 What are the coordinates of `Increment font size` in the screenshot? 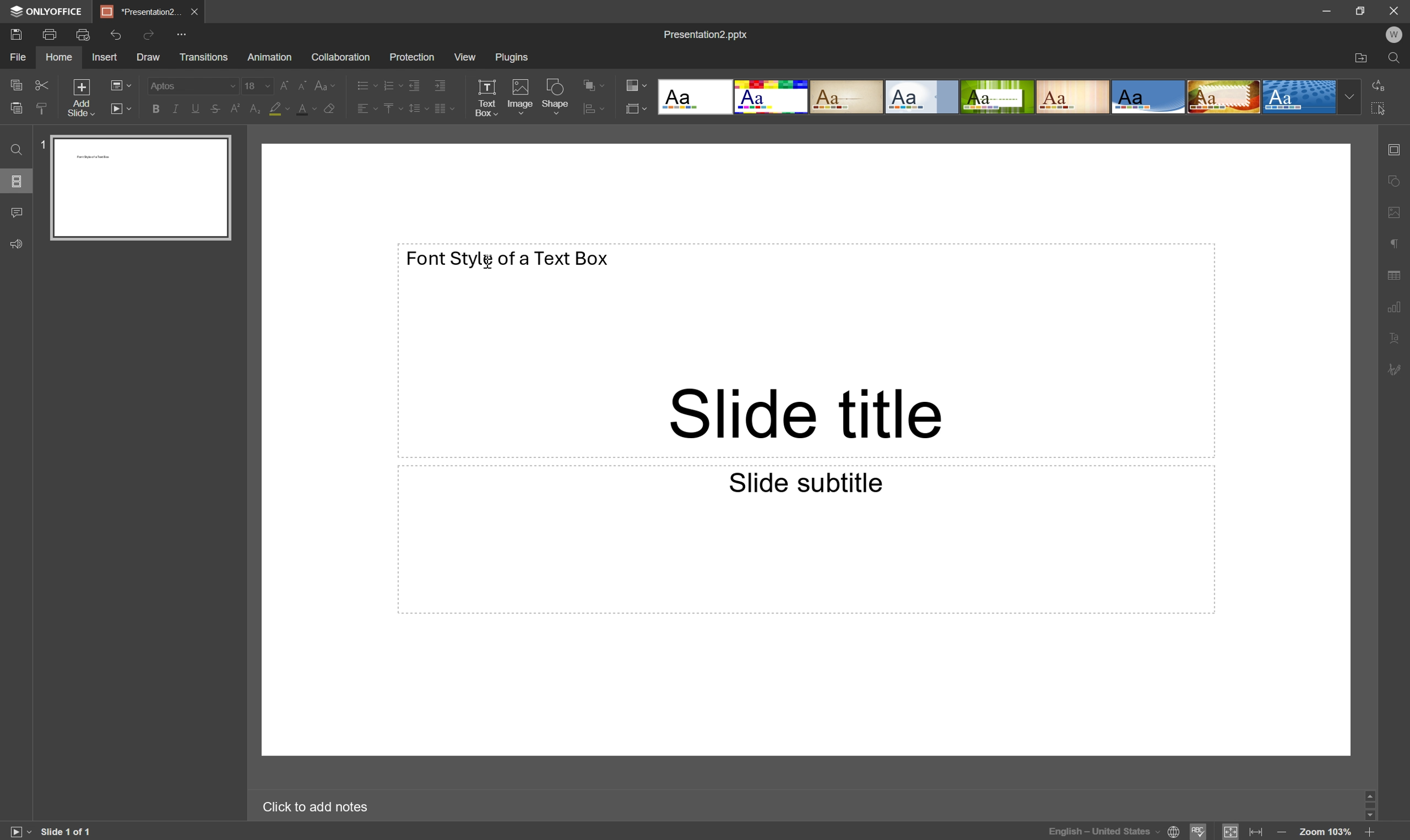 It's located at (287, 84).